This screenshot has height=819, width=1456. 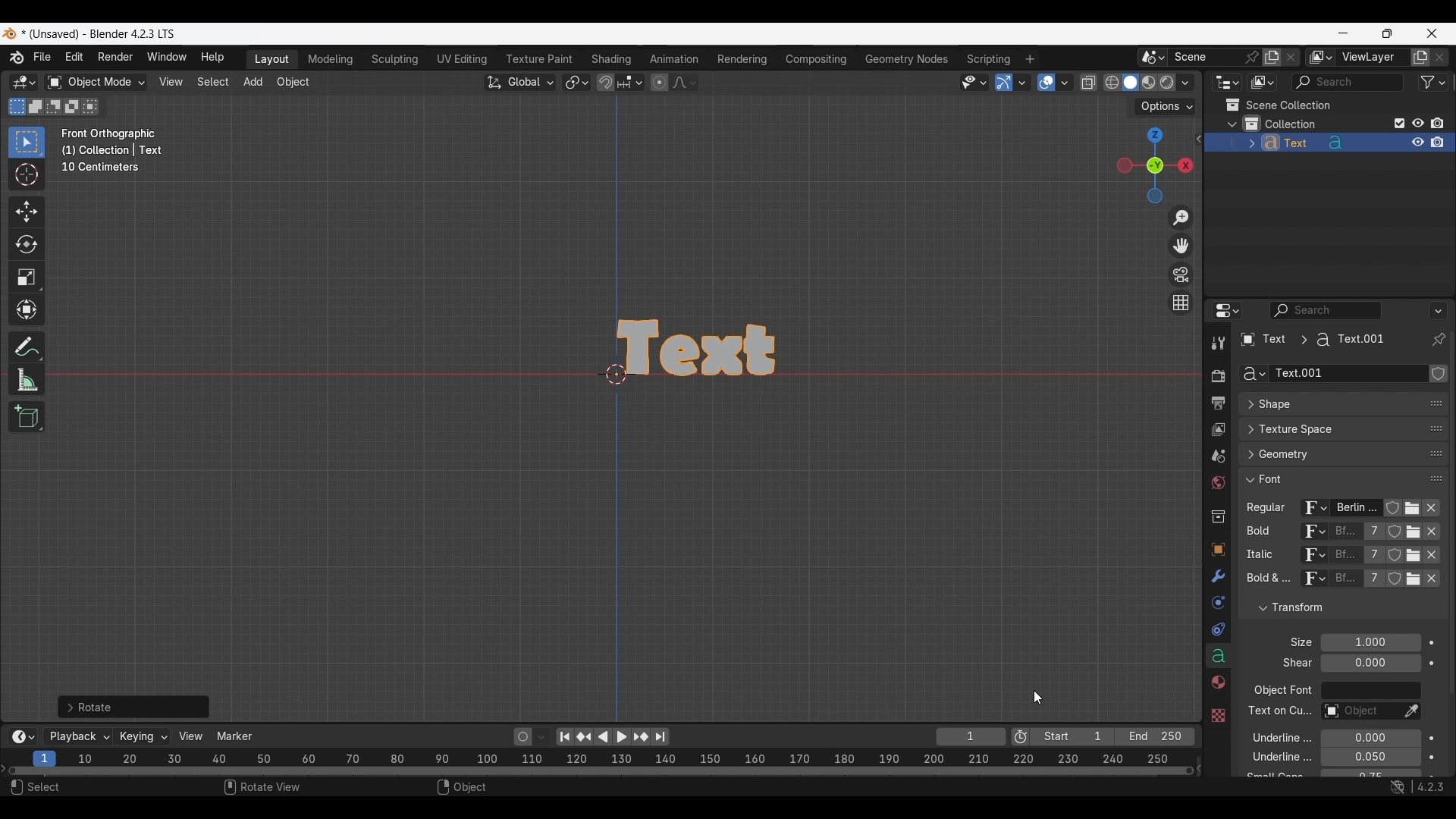 I want to click on Fake user for respe, so click(x=1394, y=511).